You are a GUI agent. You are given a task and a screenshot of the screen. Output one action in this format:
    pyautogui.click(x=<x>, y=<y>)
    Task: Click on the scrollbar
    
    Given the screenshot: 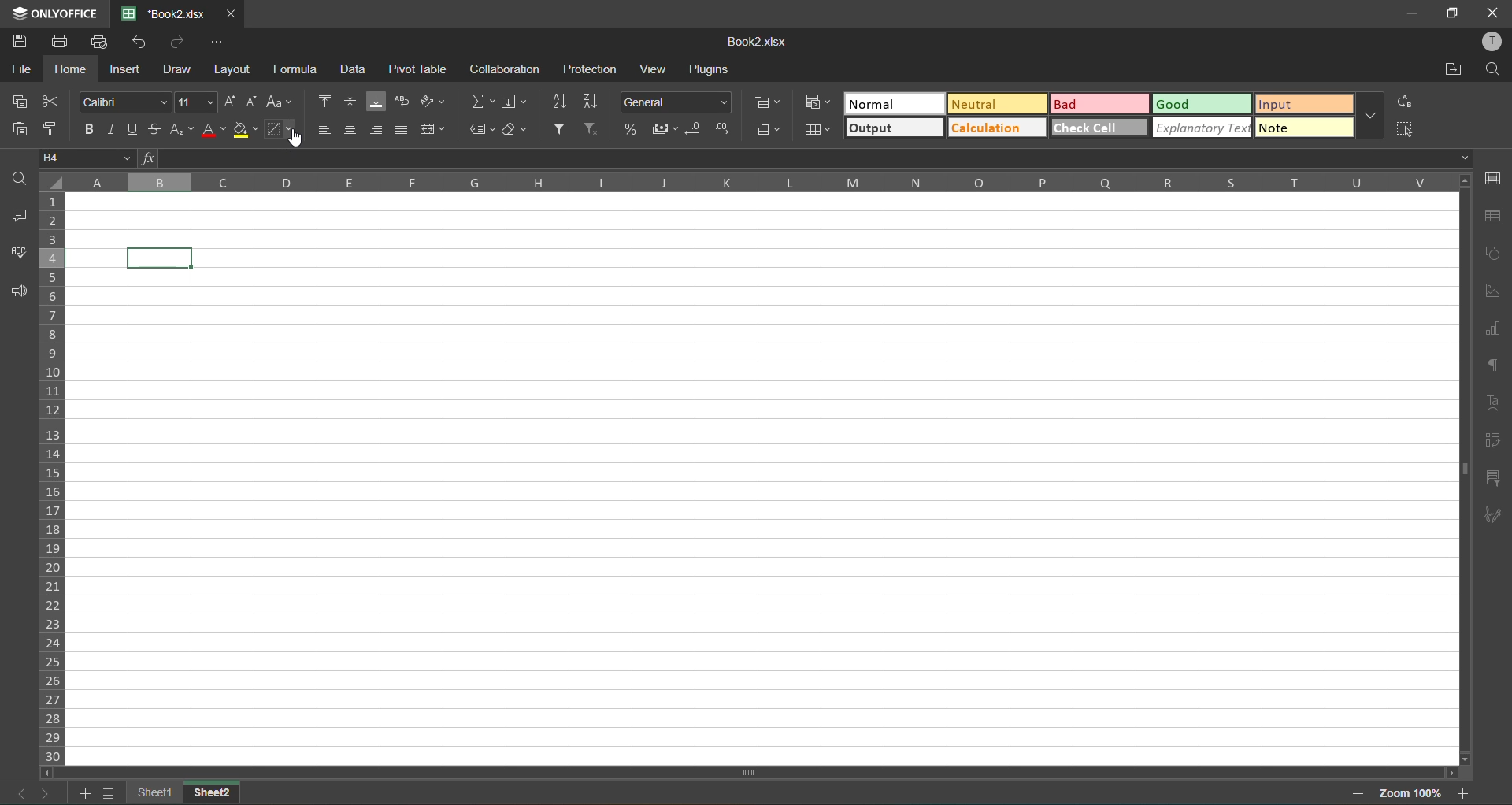 What is the action you would take?
    pyautogui.click(x=577, y=774)
    